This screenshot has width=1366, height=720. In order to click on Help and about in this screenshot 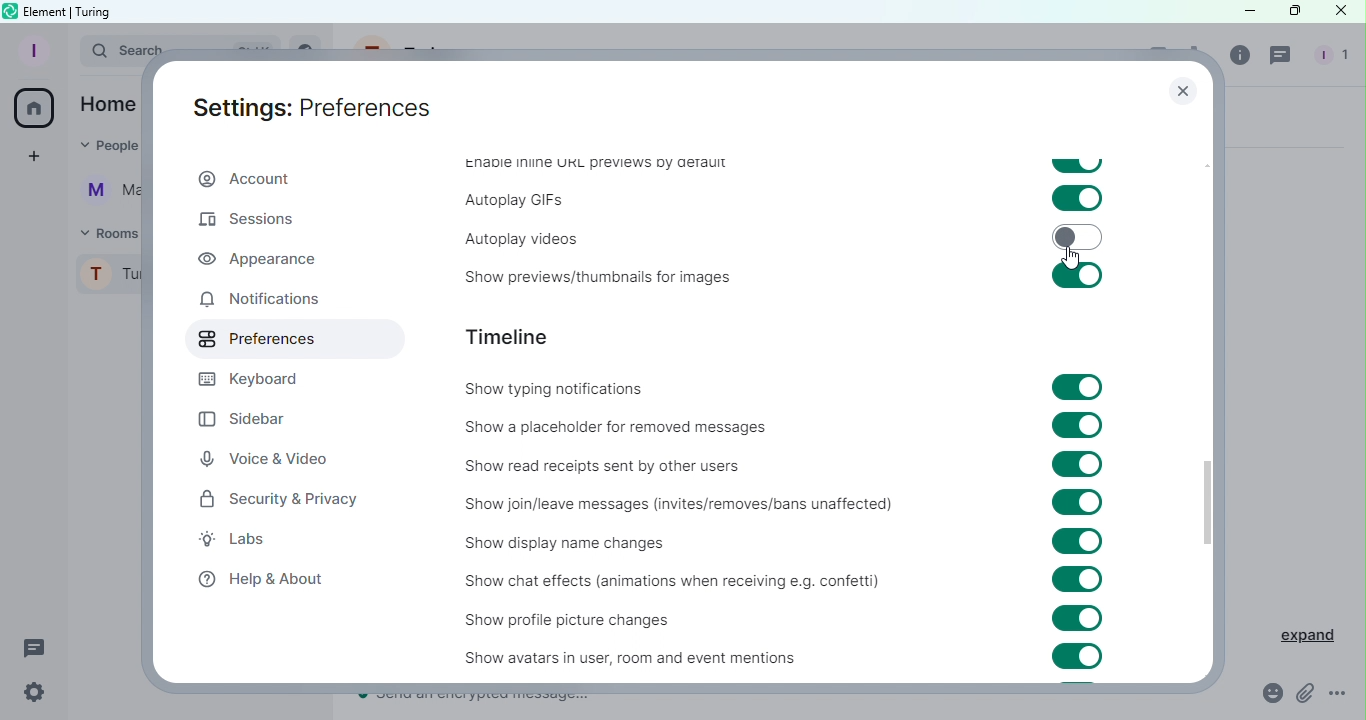, I will do `click(262, 580)`.